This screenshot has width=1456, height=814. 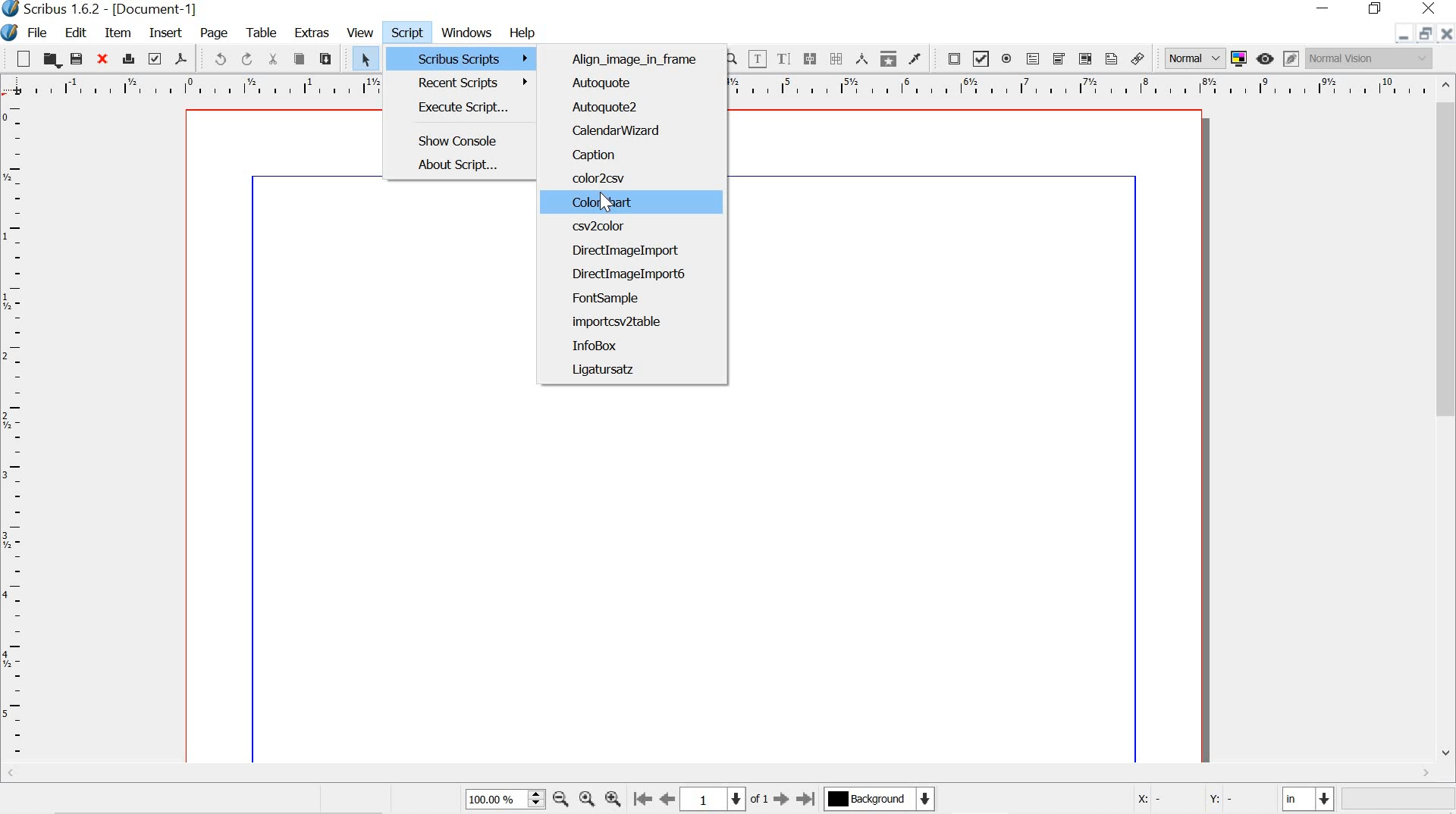 What do you see at coordinates (603, 346) in the screenshot?
I see `InfoBox` at bounding box center [603, 346].